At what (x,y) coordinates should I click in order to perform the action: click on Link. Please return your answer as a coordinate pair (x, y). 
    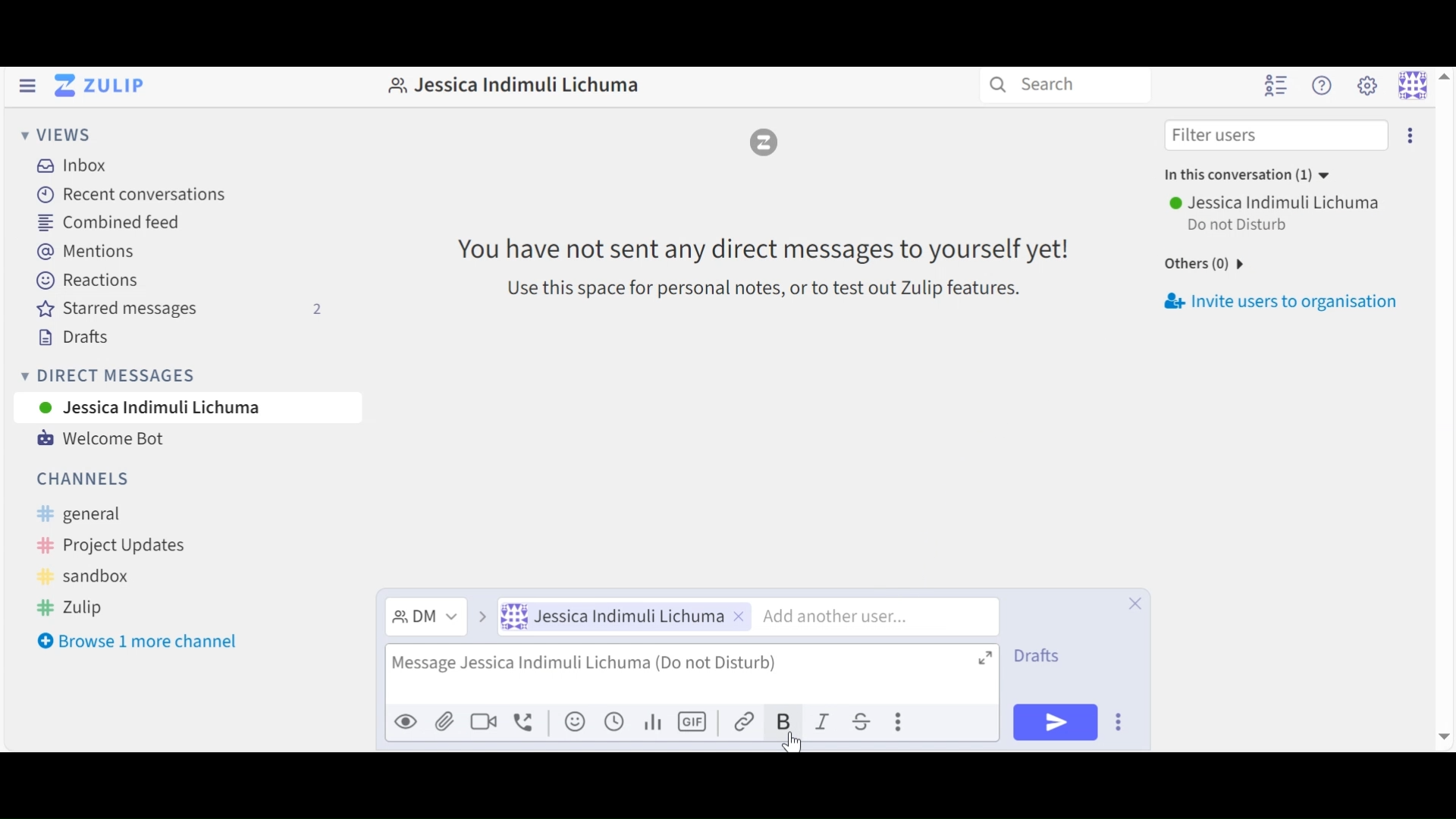
    Looking at the image, I should click on (748, 721).